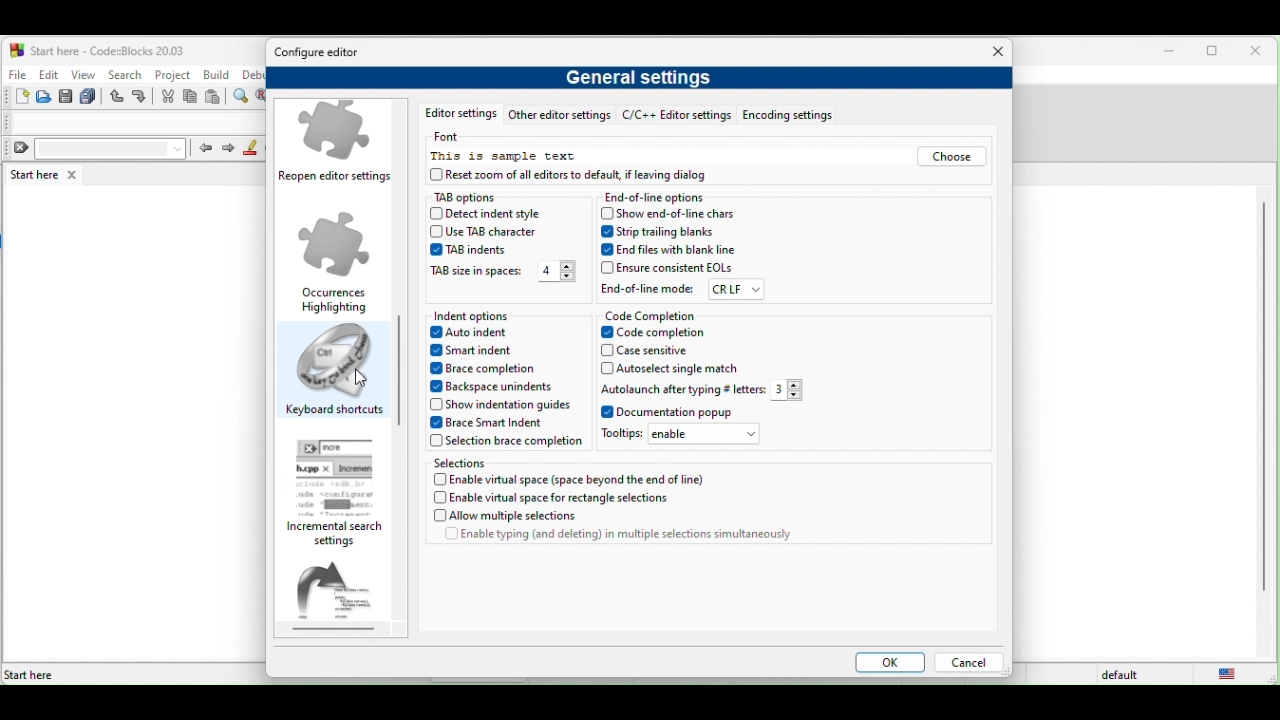  I want to click on abbreviations, so click(342, 597).